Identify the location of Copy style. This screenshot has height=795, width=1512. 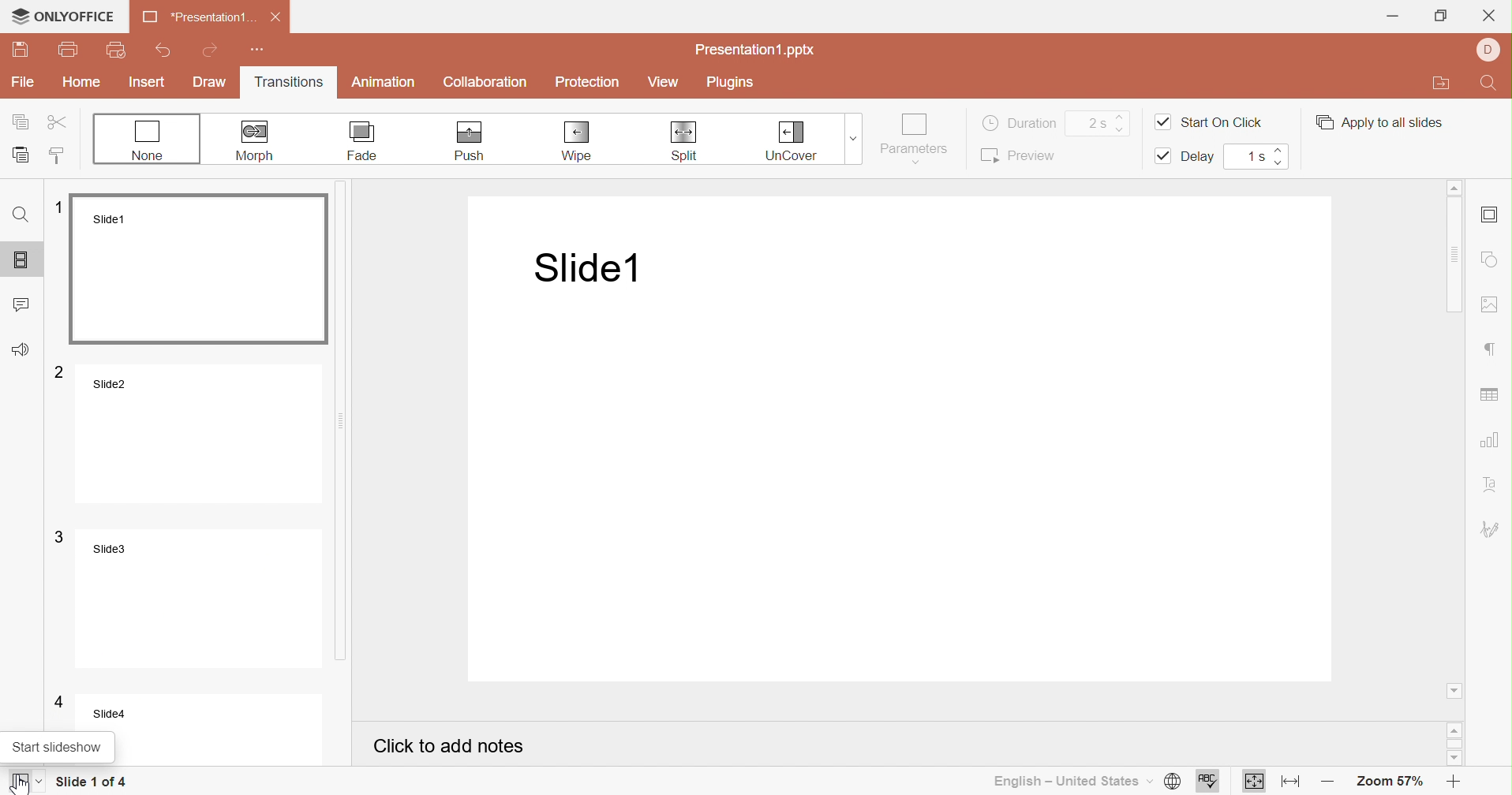
(60, 157).